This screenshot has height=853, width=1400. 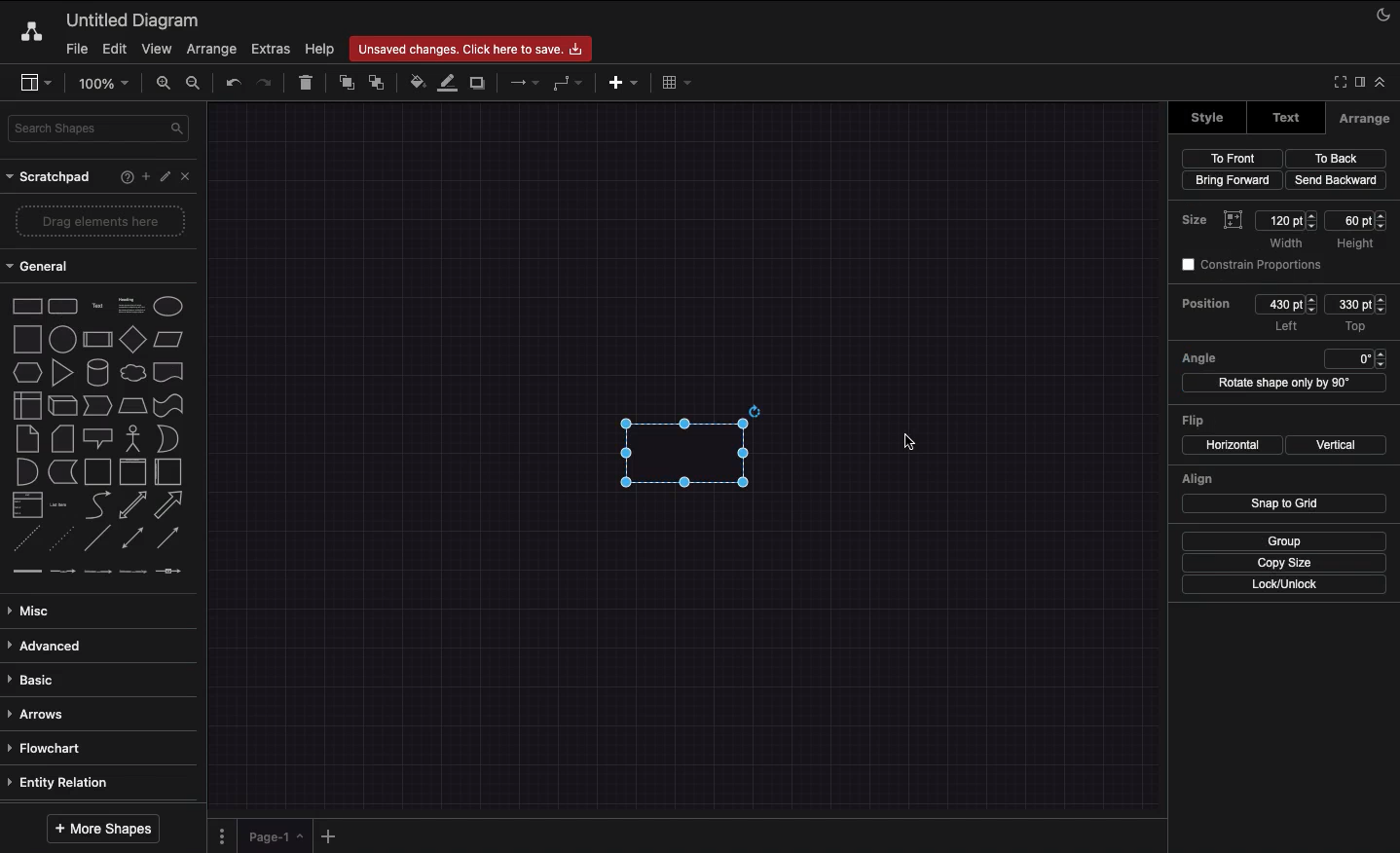 I want to click on Angle, so click(x=1282, y=358).